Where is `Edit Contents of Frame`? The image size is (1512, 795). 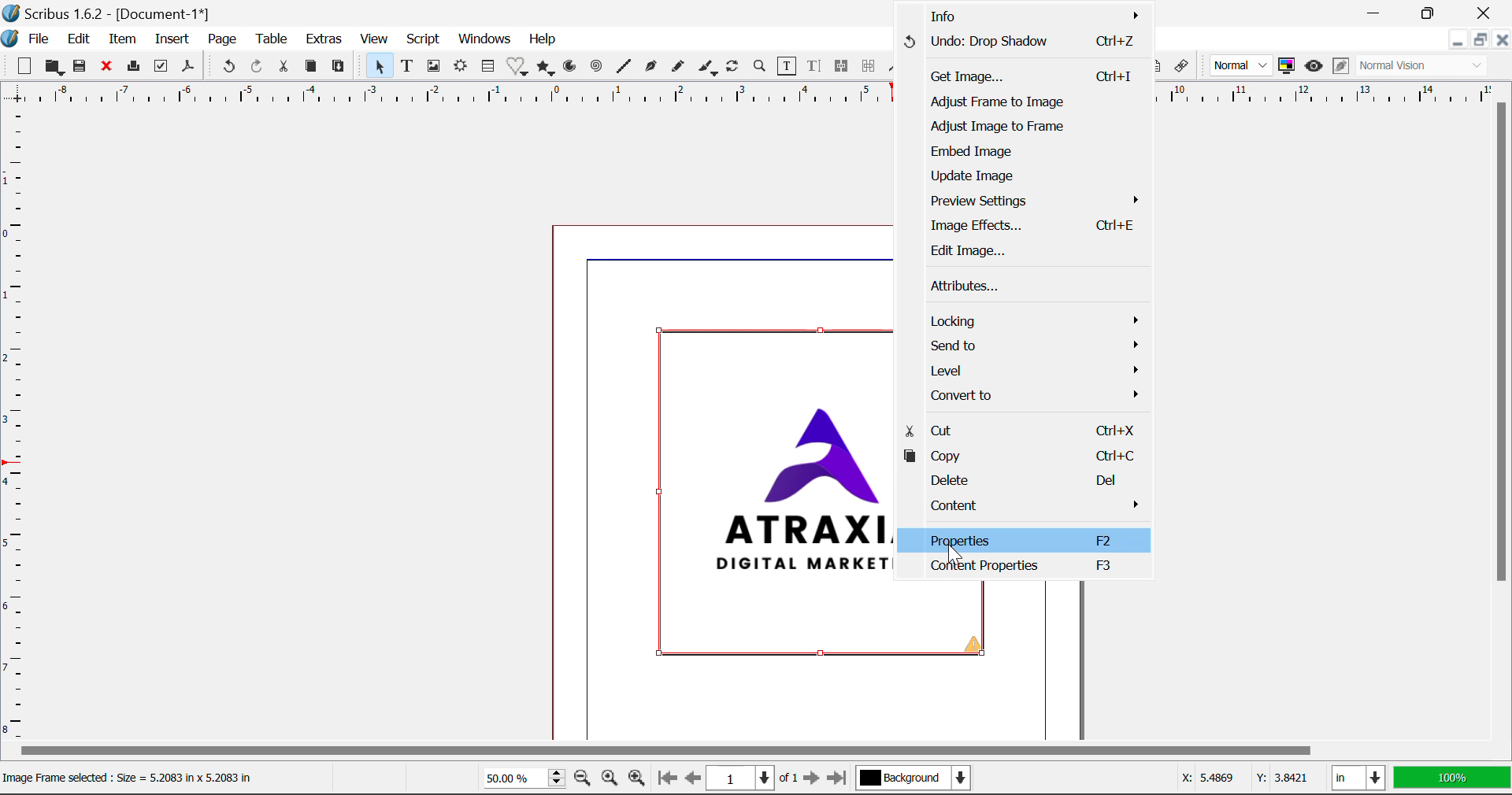
Edit Contents of Frame is located at coordinates (788, 68).